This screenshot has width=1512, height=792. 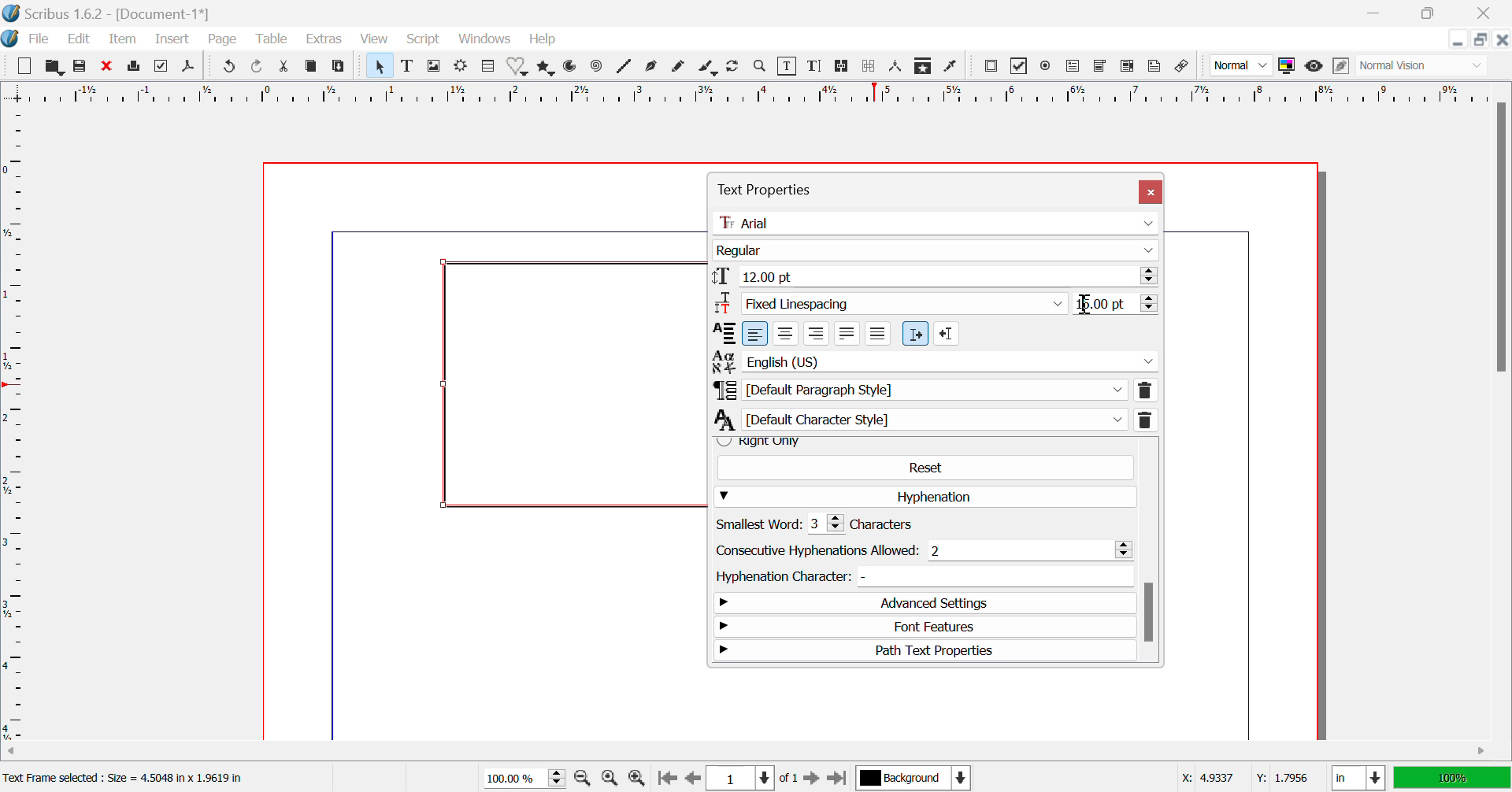 I want to click on Arial, so click(x=936, y=223).